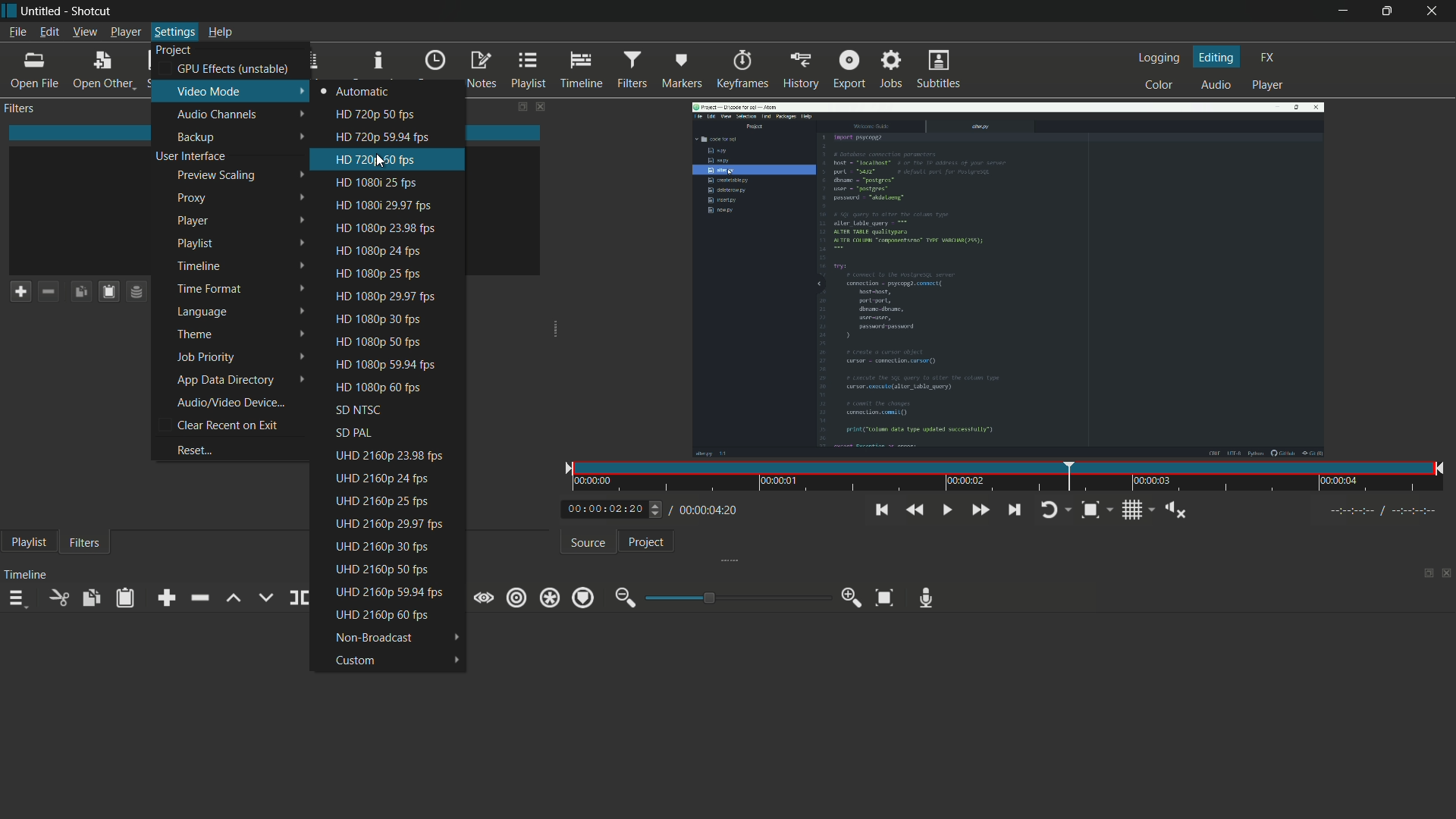  Describe the element at coordinates (1269, 85) in the screenshot. I see `player` at that location.